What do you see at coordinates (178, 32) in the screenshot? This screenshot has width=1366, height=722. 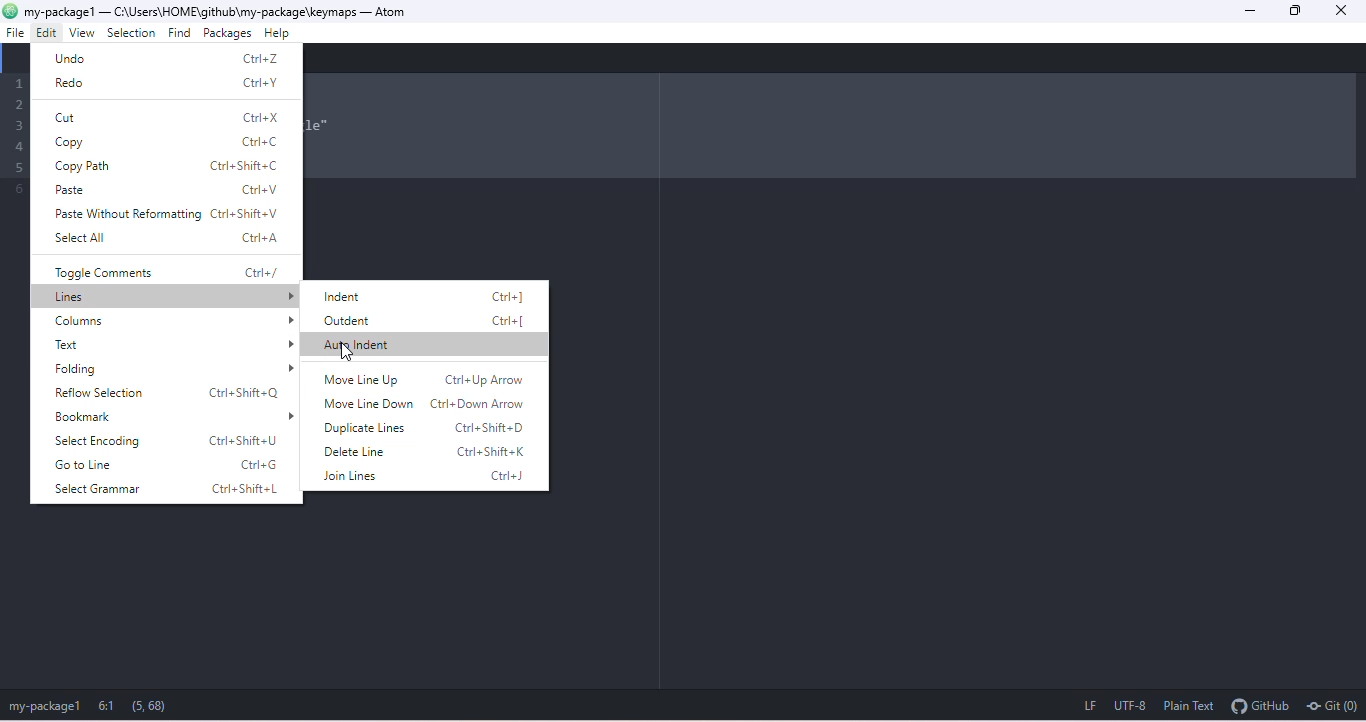 I see `find` at bounding box center [178, 32].